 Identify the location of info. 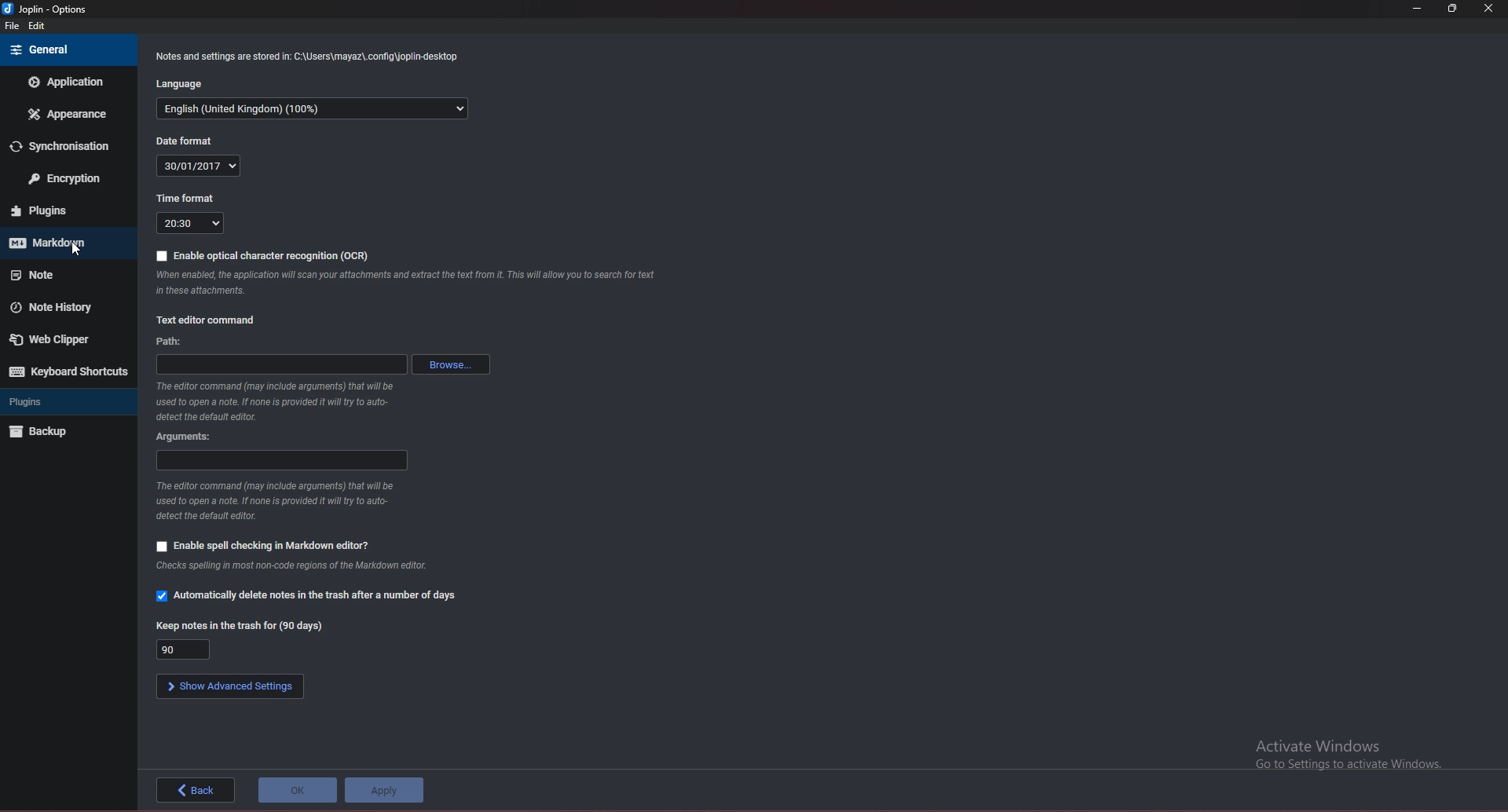
(273, 401).